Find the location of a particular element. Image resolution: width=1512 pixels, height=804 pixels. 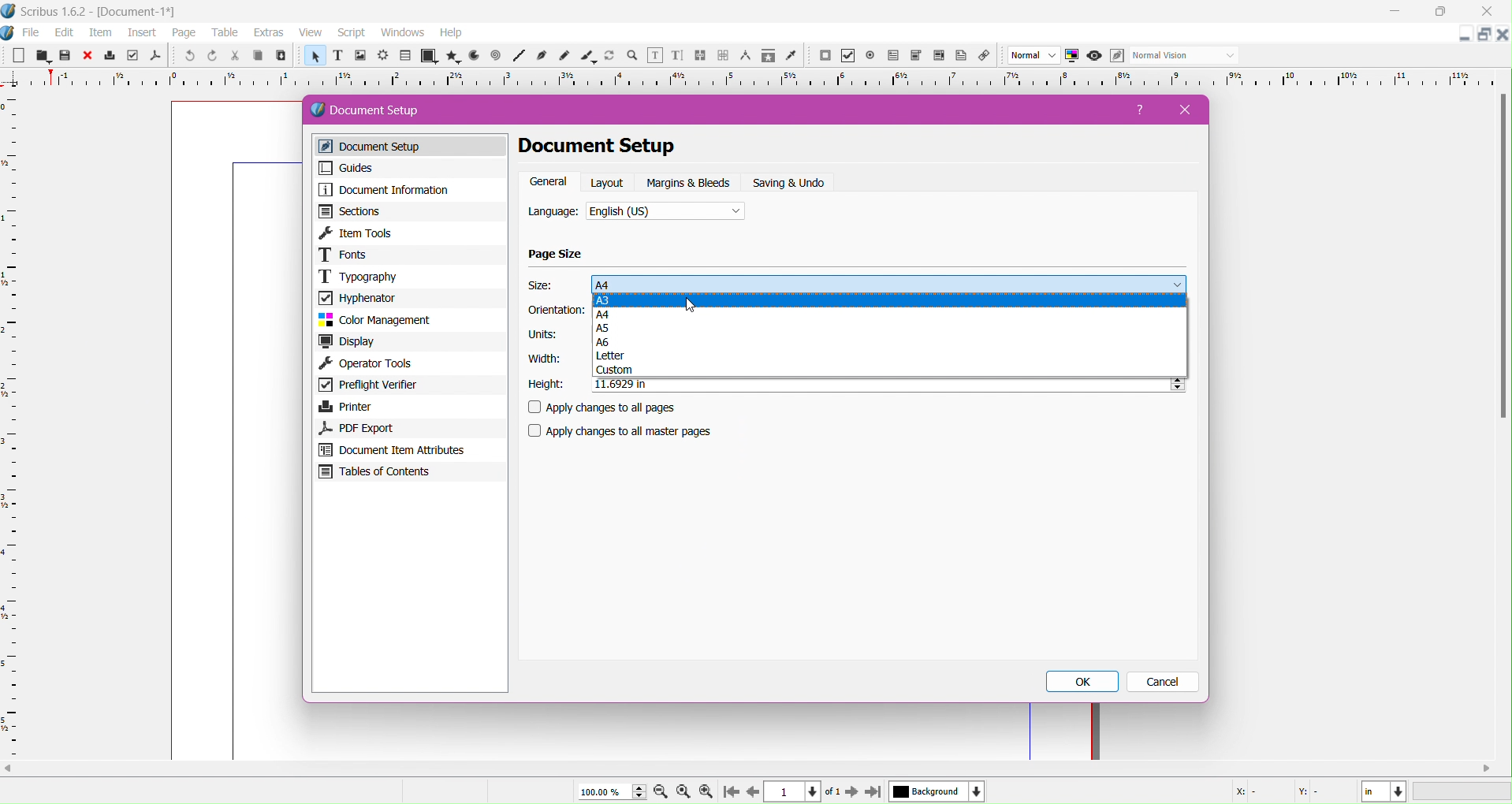

Select the size is located at coordinates (889, 283).